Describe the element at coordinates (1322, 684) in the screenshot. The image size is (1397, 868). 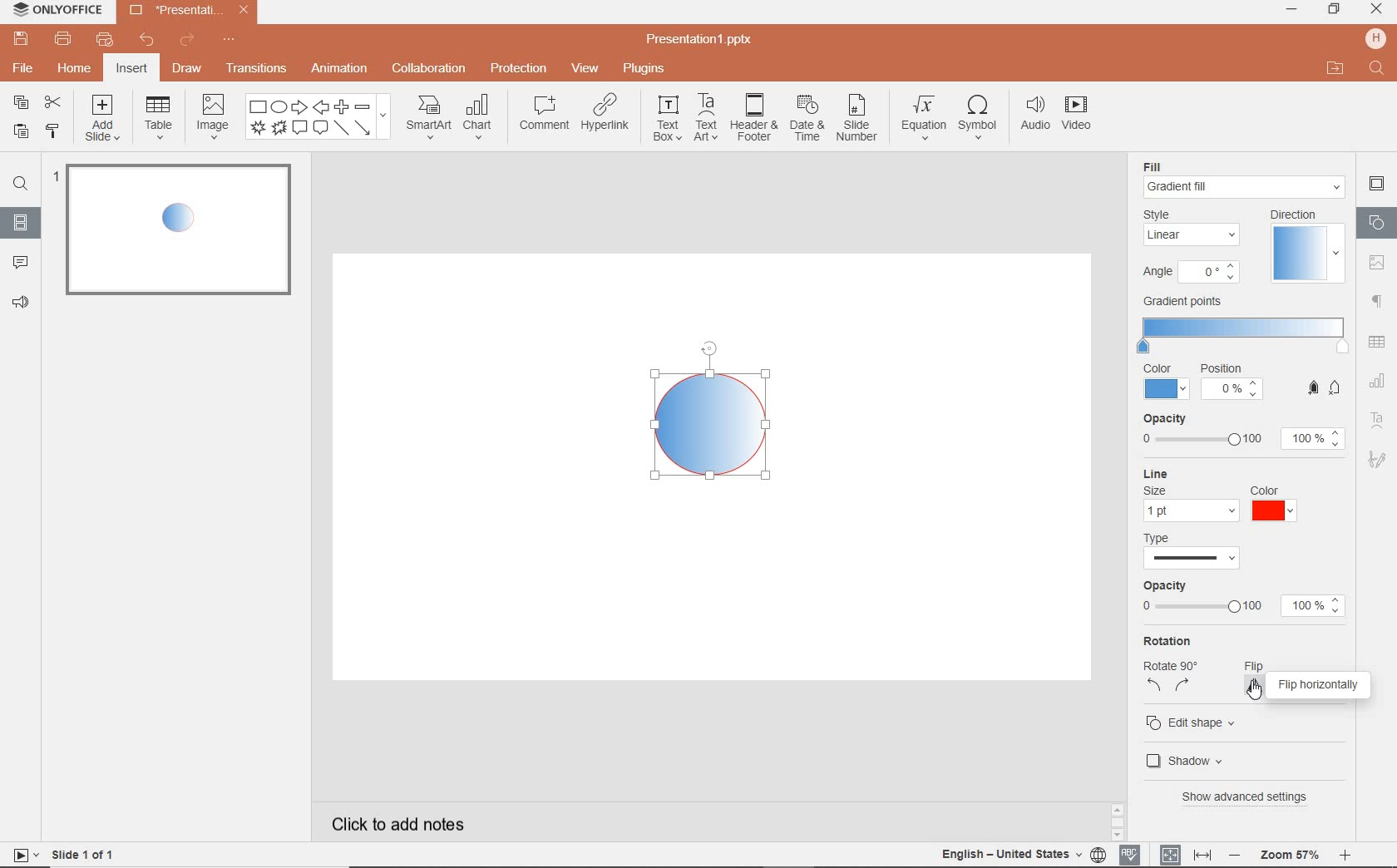
I see `flip horizontally` at that location.